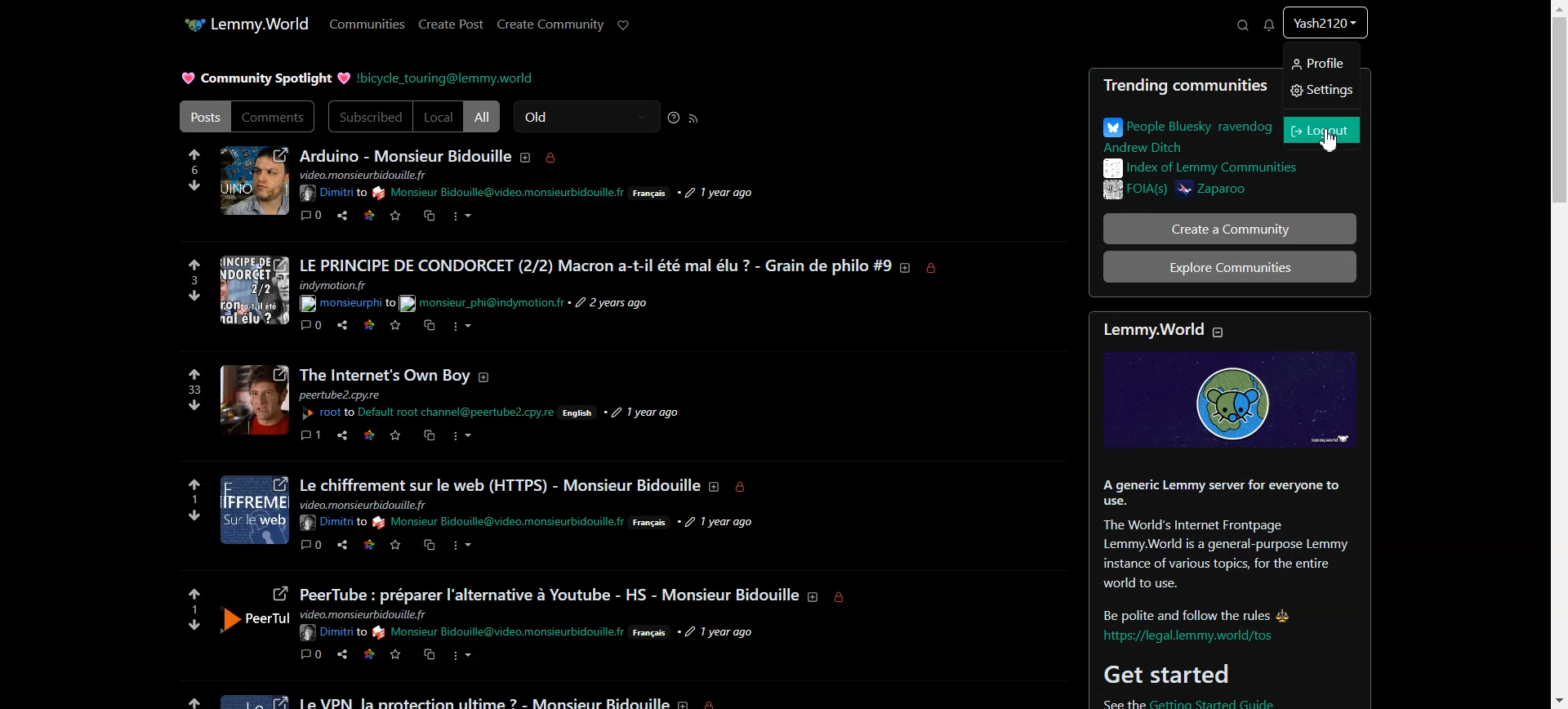  What do you see at coordinates (342, 215) in the screenshot?
I see `Share` at bounding box center [342, 215].